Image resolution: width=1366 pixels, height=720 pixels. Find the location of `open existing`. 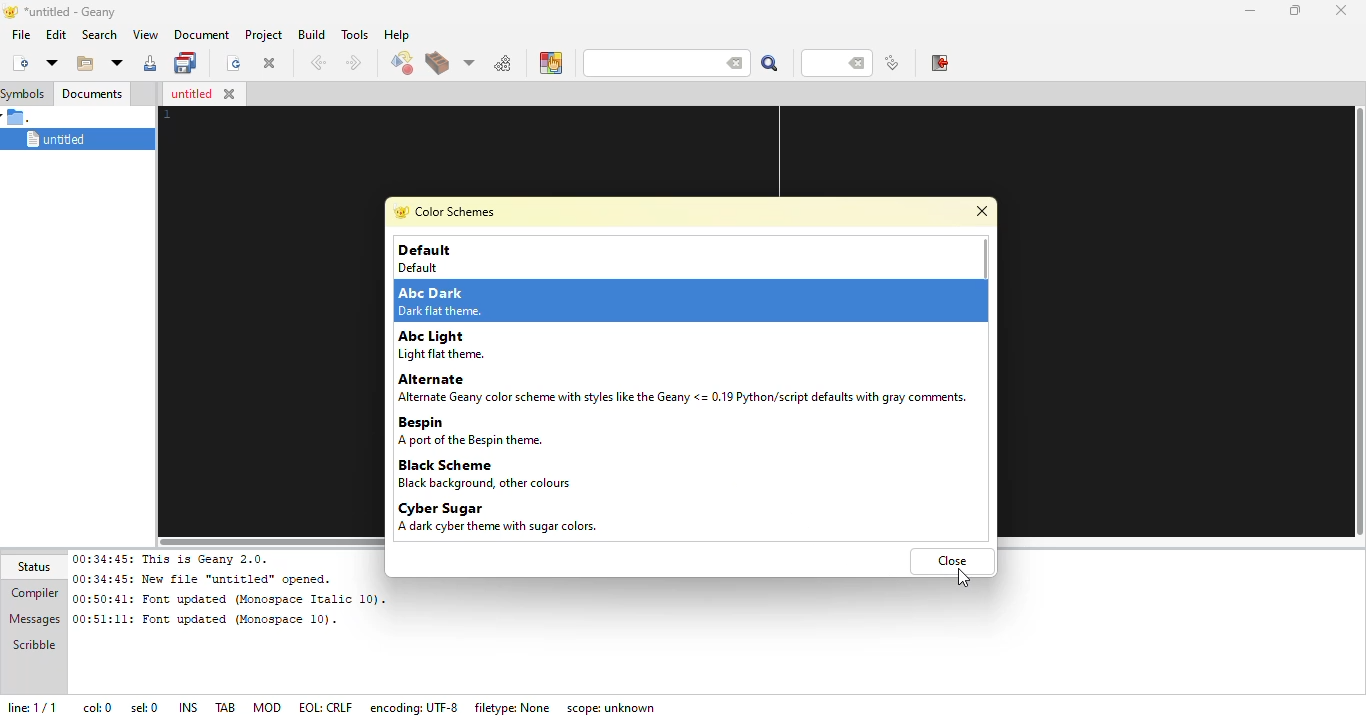

open existing is located at coordinates (83, 63).